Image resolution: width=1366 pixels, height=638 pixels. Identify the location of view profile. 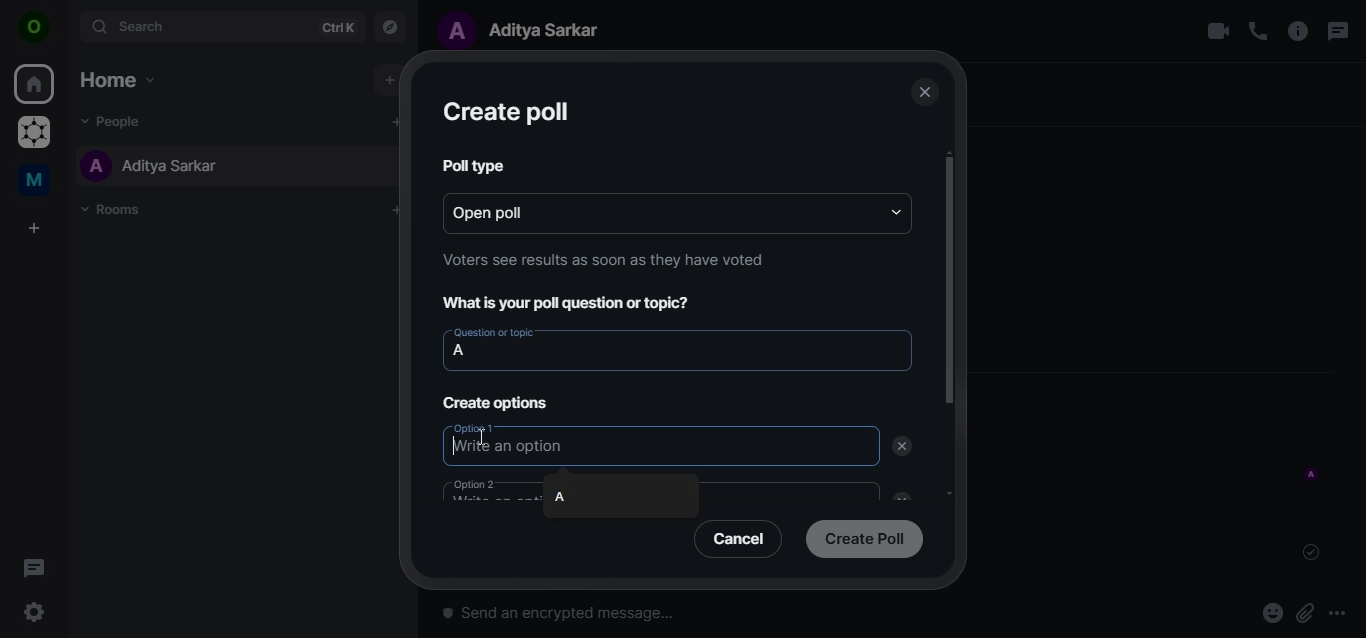
(35, 29).